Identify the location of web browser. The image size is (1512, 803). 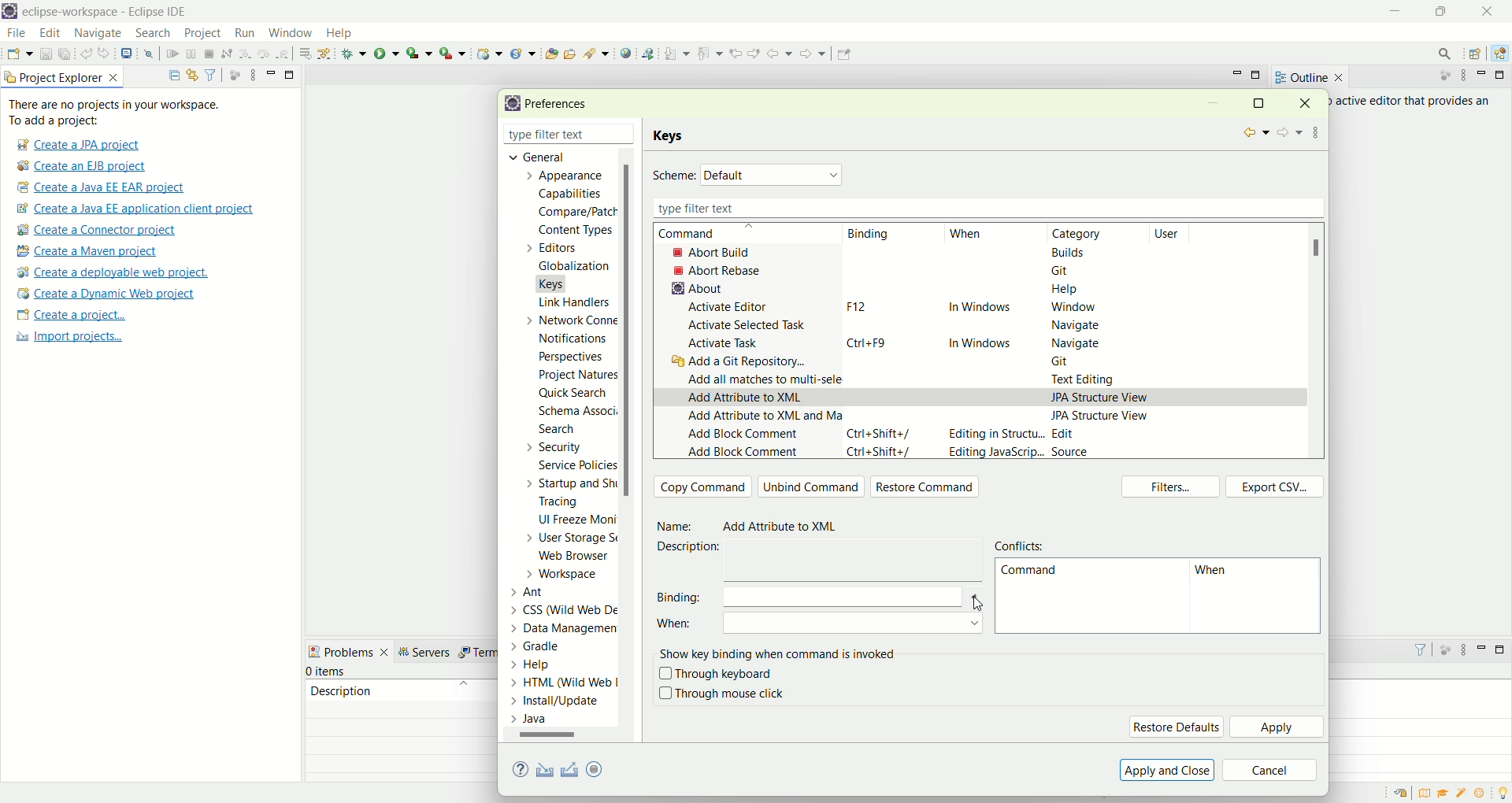
(579, 557).